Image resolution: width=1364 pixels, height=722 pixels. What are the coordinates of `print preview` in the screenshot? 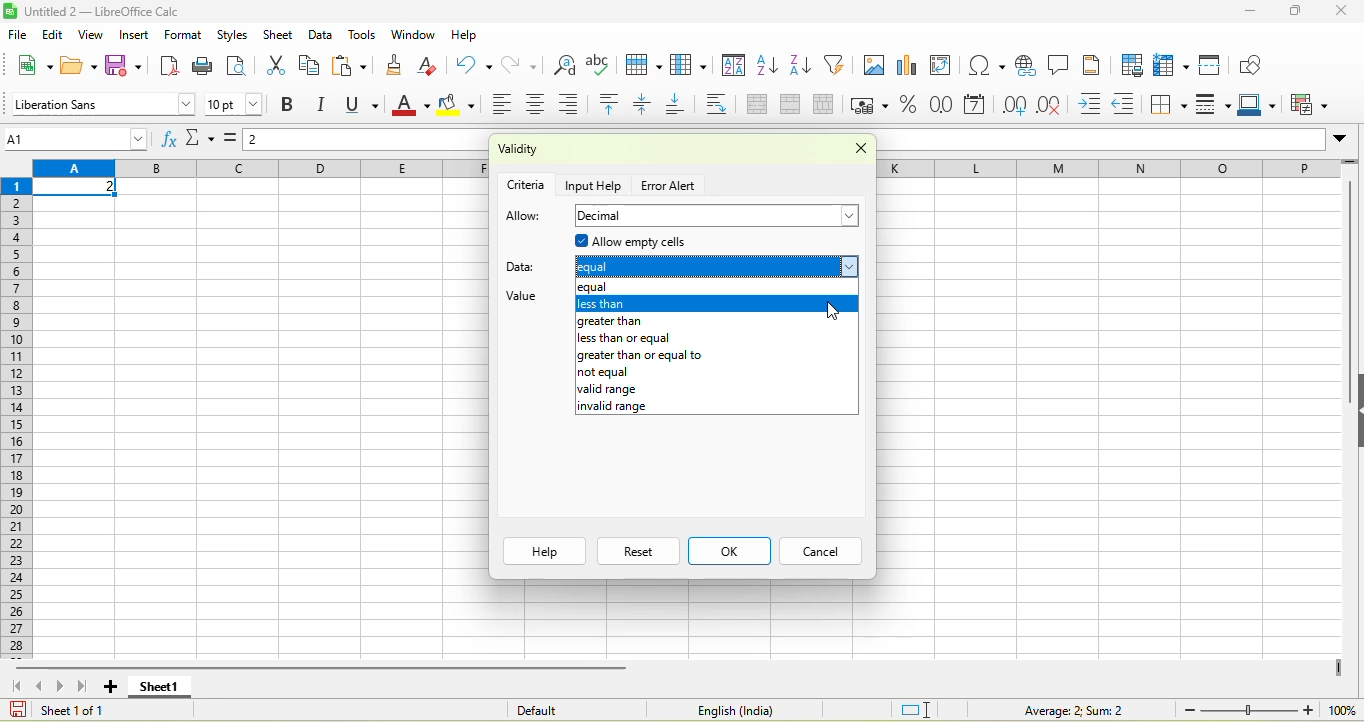 It's located at (239, 67).